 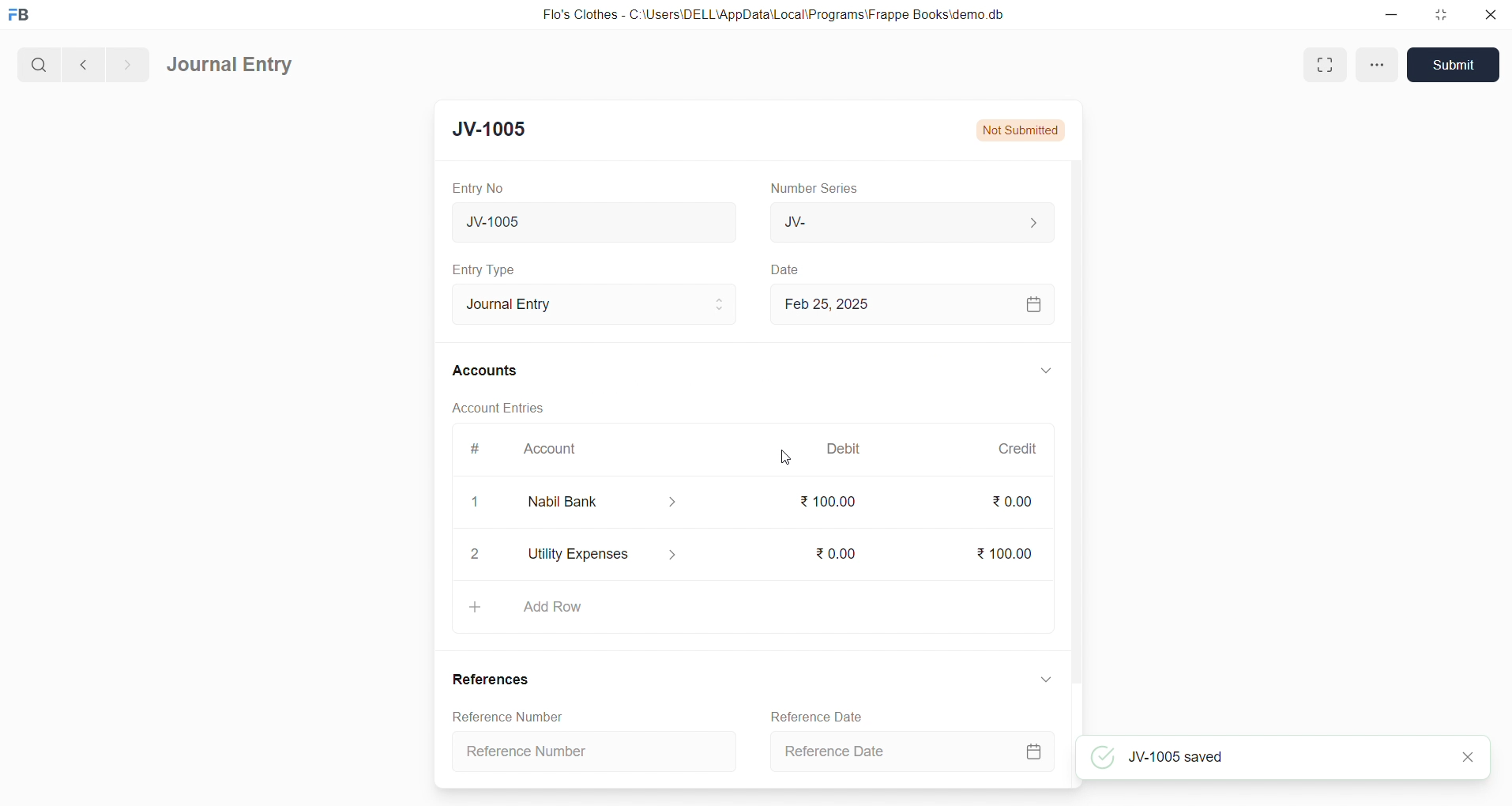 I want to click on close, so click(x=1471, y=757).